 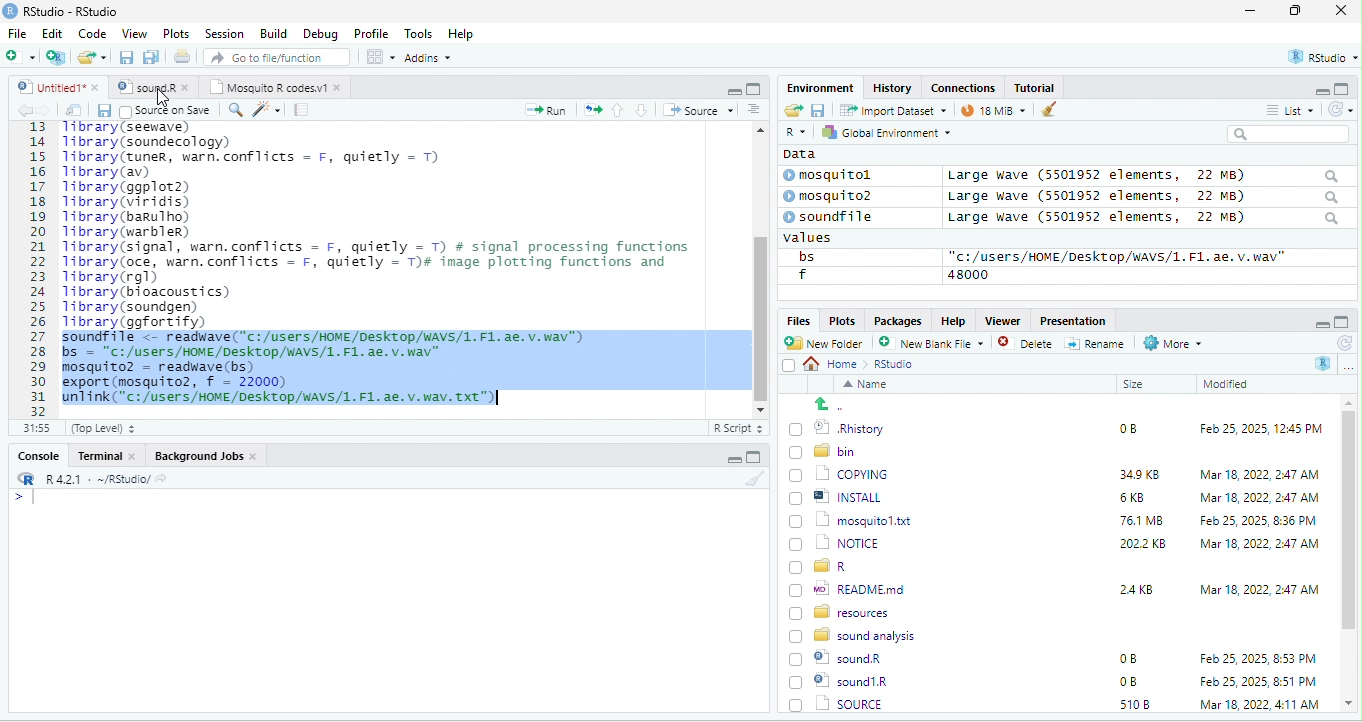 What do you see at coordinates (1286, 110) in the screenshot?
I see `= List ~` at bounding box center [1286, 110].